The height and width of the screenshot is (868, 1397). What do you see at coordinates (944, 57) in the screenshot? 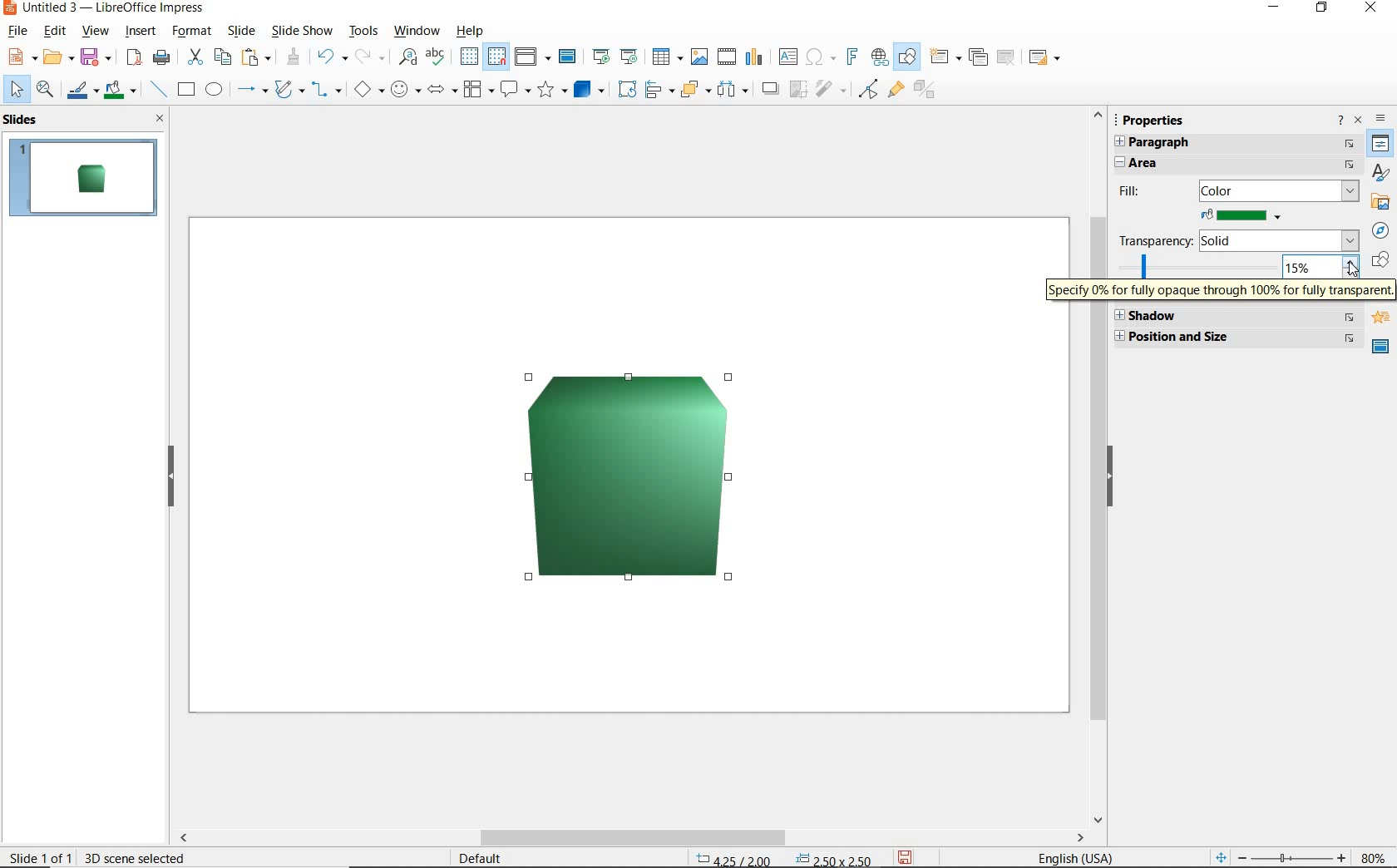
I see `new slide` at bounding box center [944, 57].